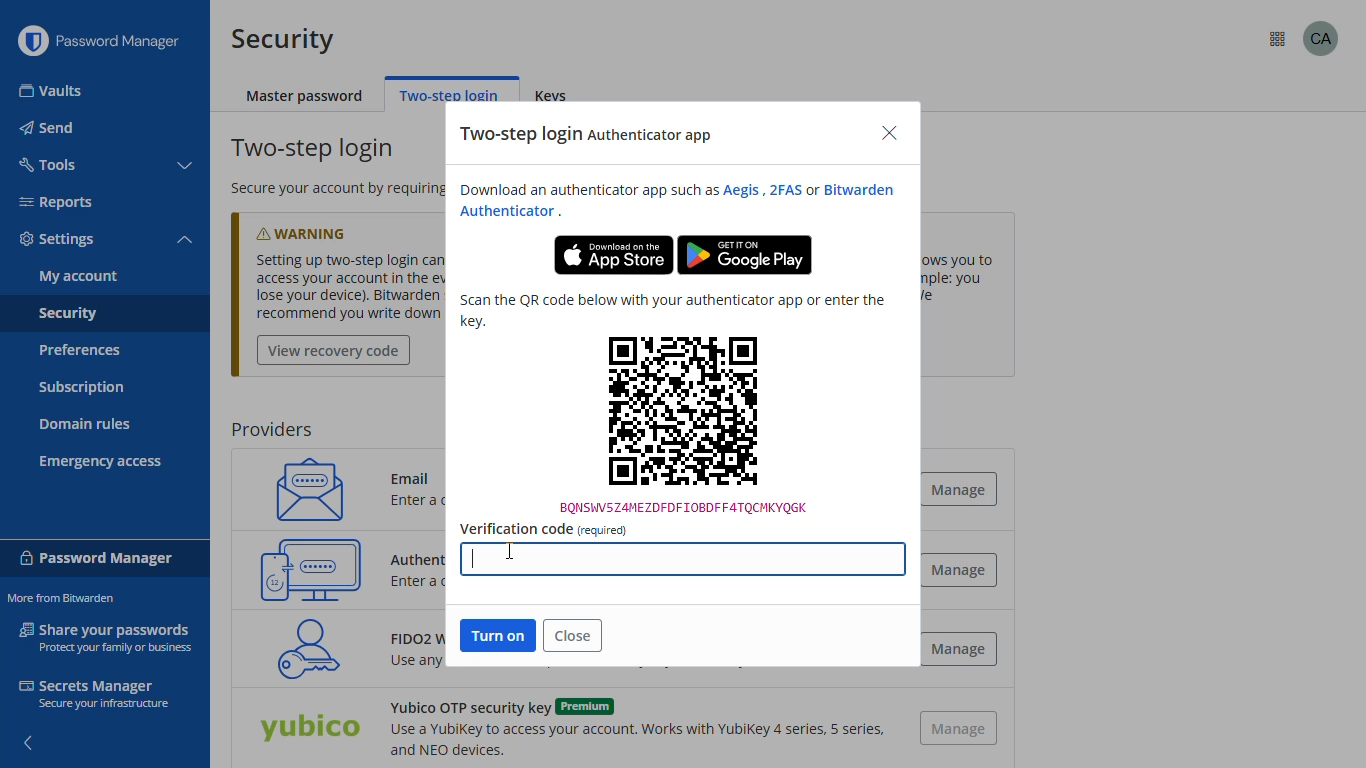 This screenshot has width=1366, height=768. Describe the element at coordinates (58, 240) in the screenshot. I see `settings` at that location.